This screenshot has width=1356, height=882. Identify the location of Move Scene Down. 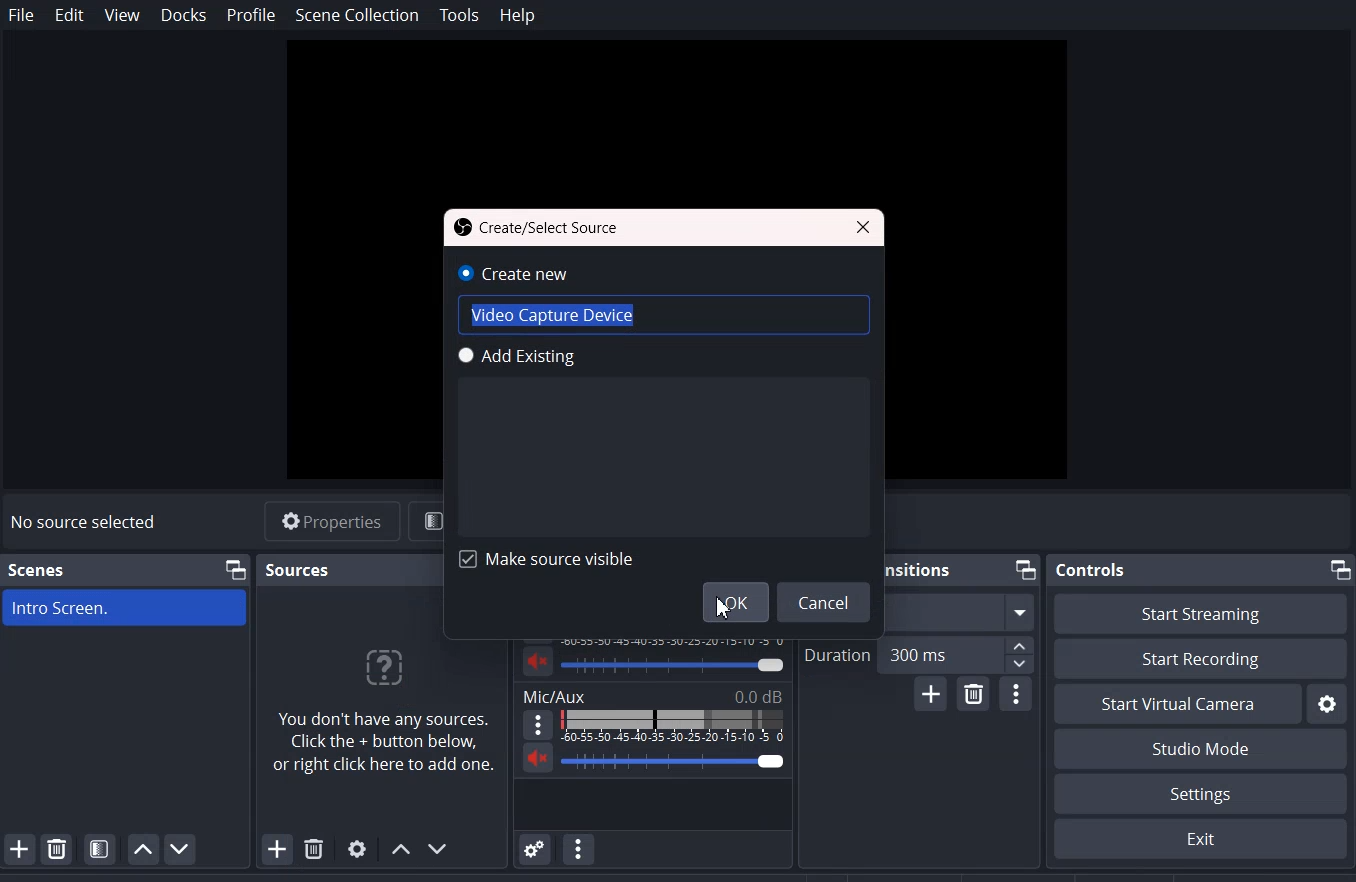
(181, 848).